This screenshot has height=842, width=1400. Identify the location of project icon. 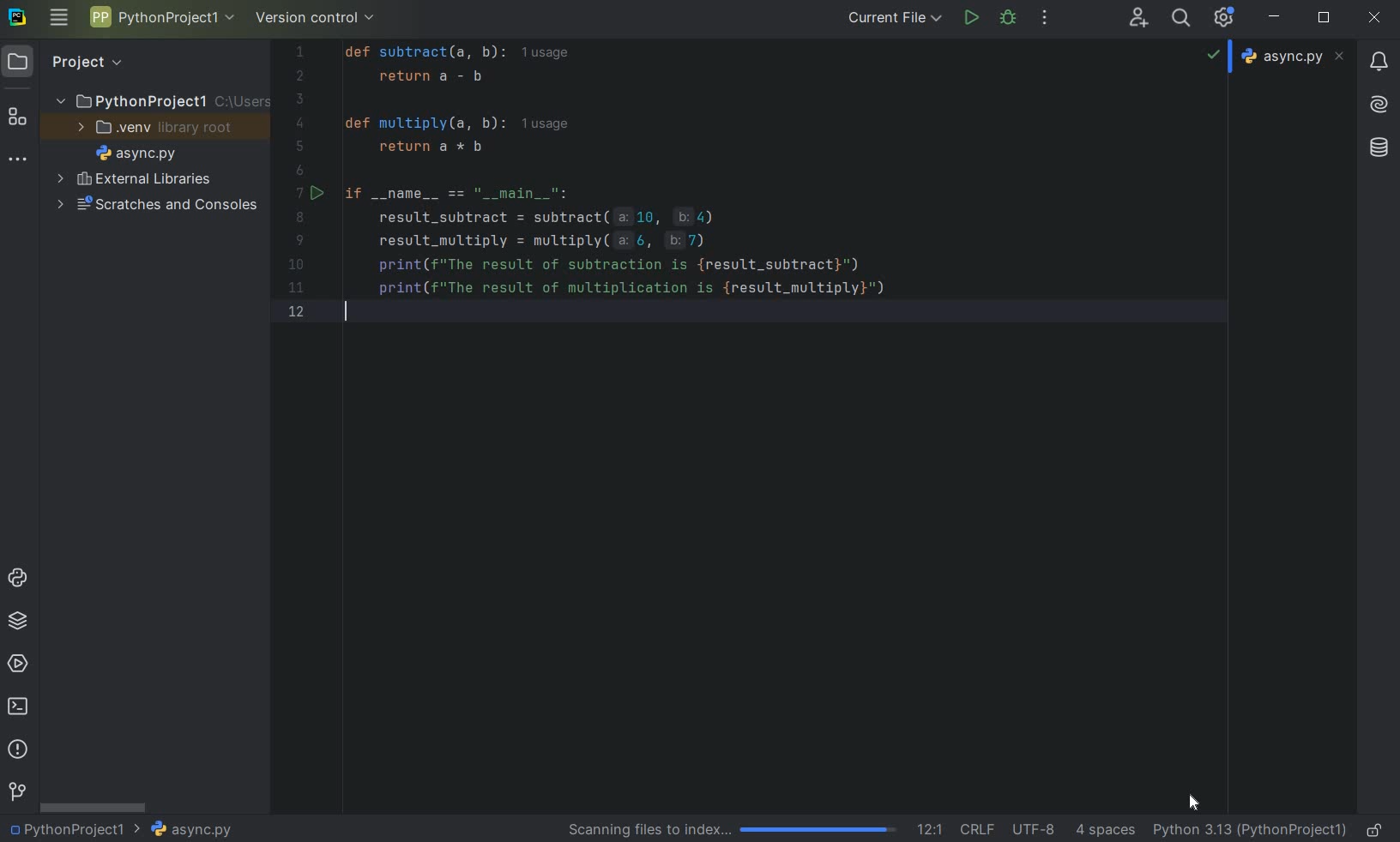
(21, 62).